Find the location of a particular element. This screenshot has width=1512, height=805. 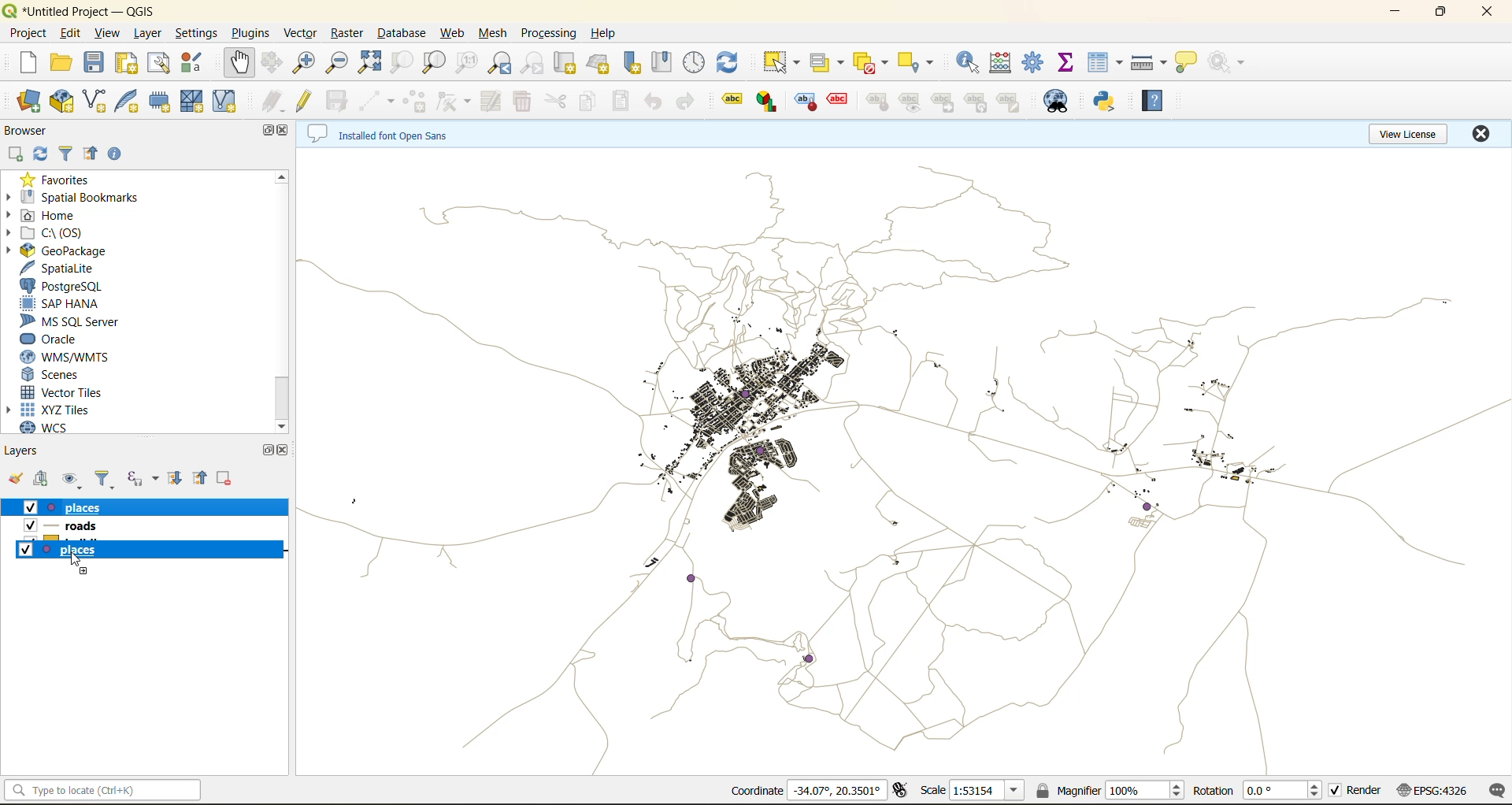

open data source manager is located at coordinates (28, 104).